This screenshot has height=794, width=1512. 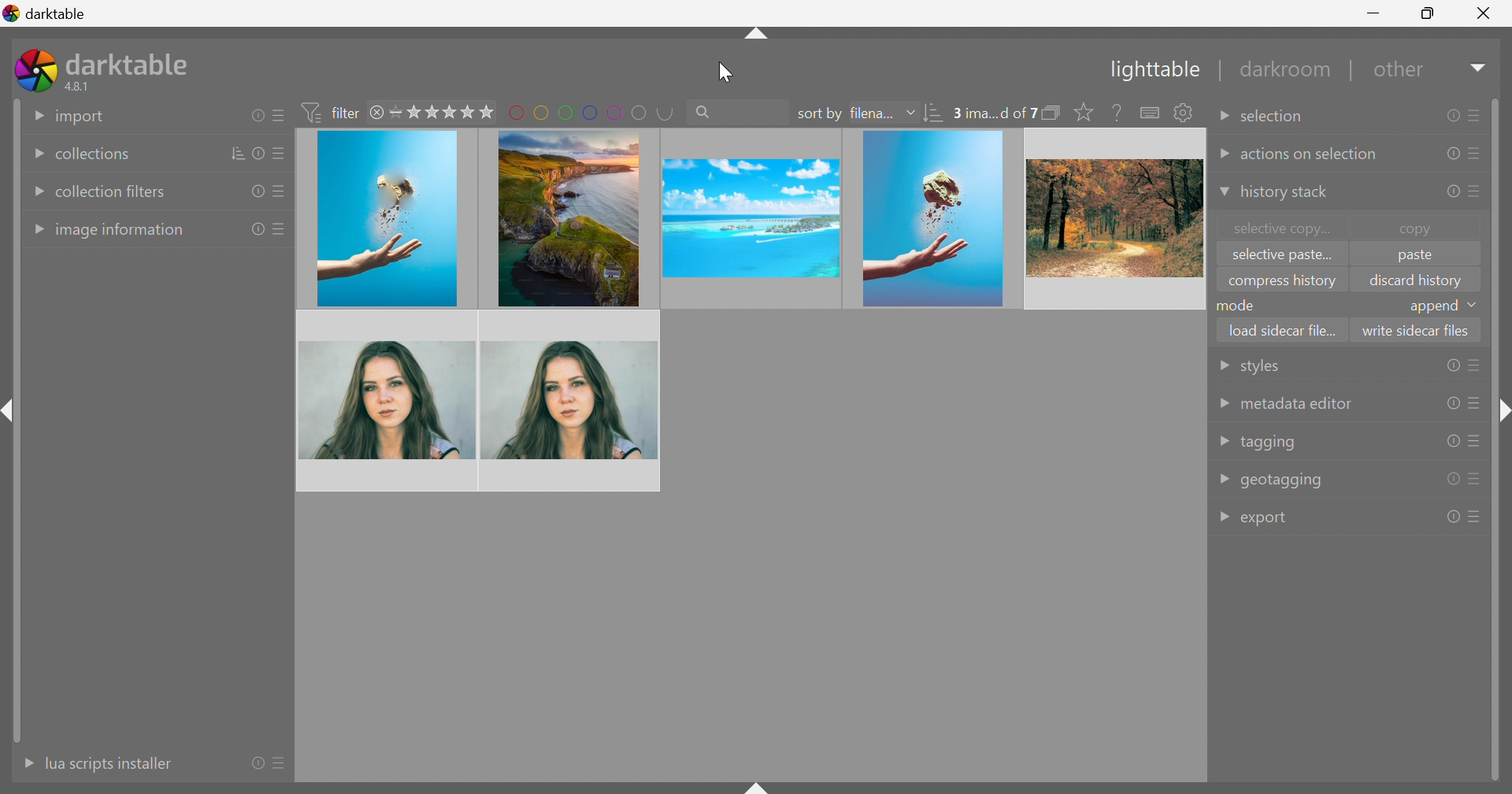 What do you see at coordinates (1453, 480) in the screenshot?
I see `reset` at bounding box center [1453, 480].